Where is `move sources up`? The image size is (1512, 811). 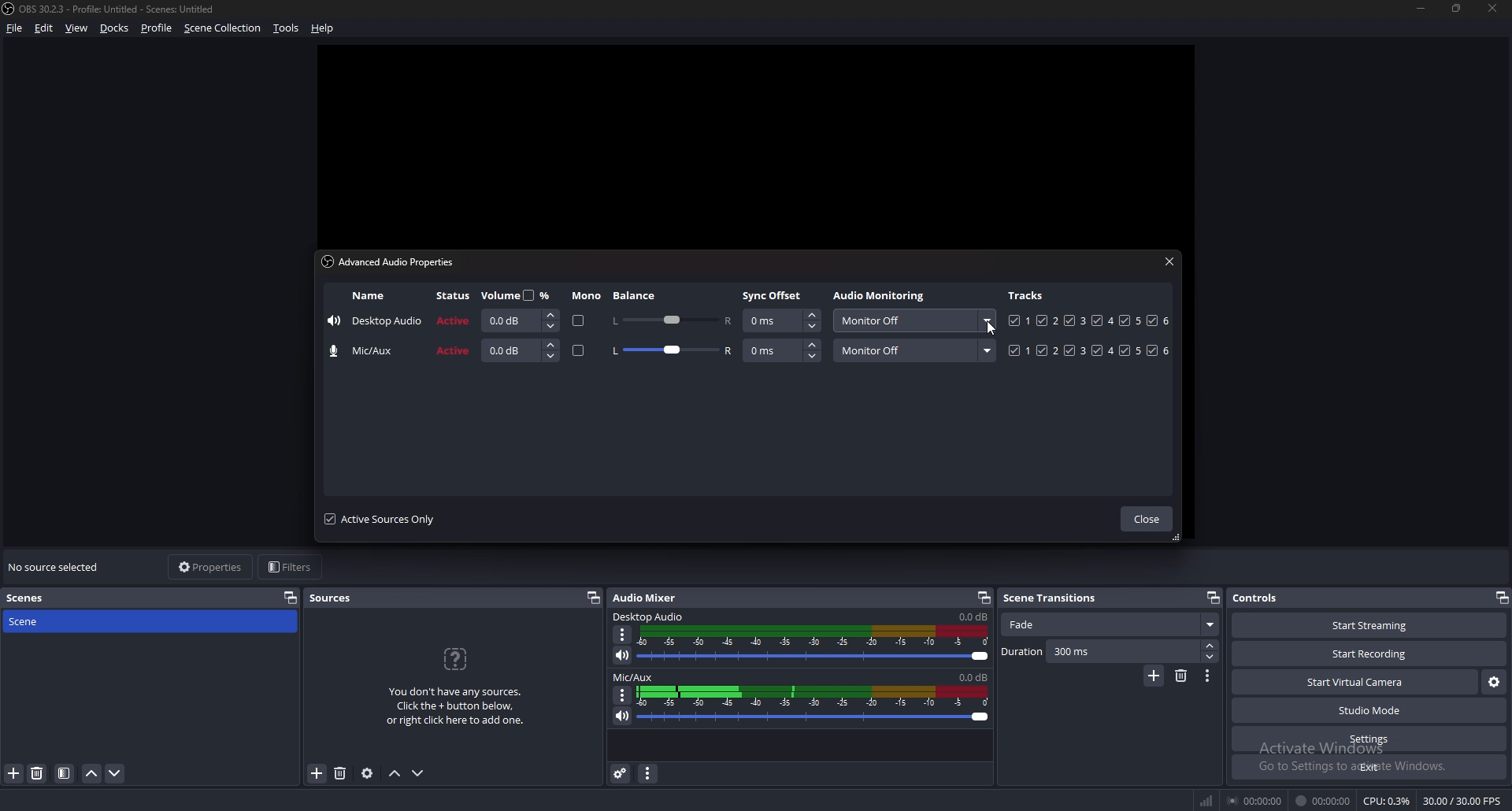 move sources up is located at coordinates (395, 773).